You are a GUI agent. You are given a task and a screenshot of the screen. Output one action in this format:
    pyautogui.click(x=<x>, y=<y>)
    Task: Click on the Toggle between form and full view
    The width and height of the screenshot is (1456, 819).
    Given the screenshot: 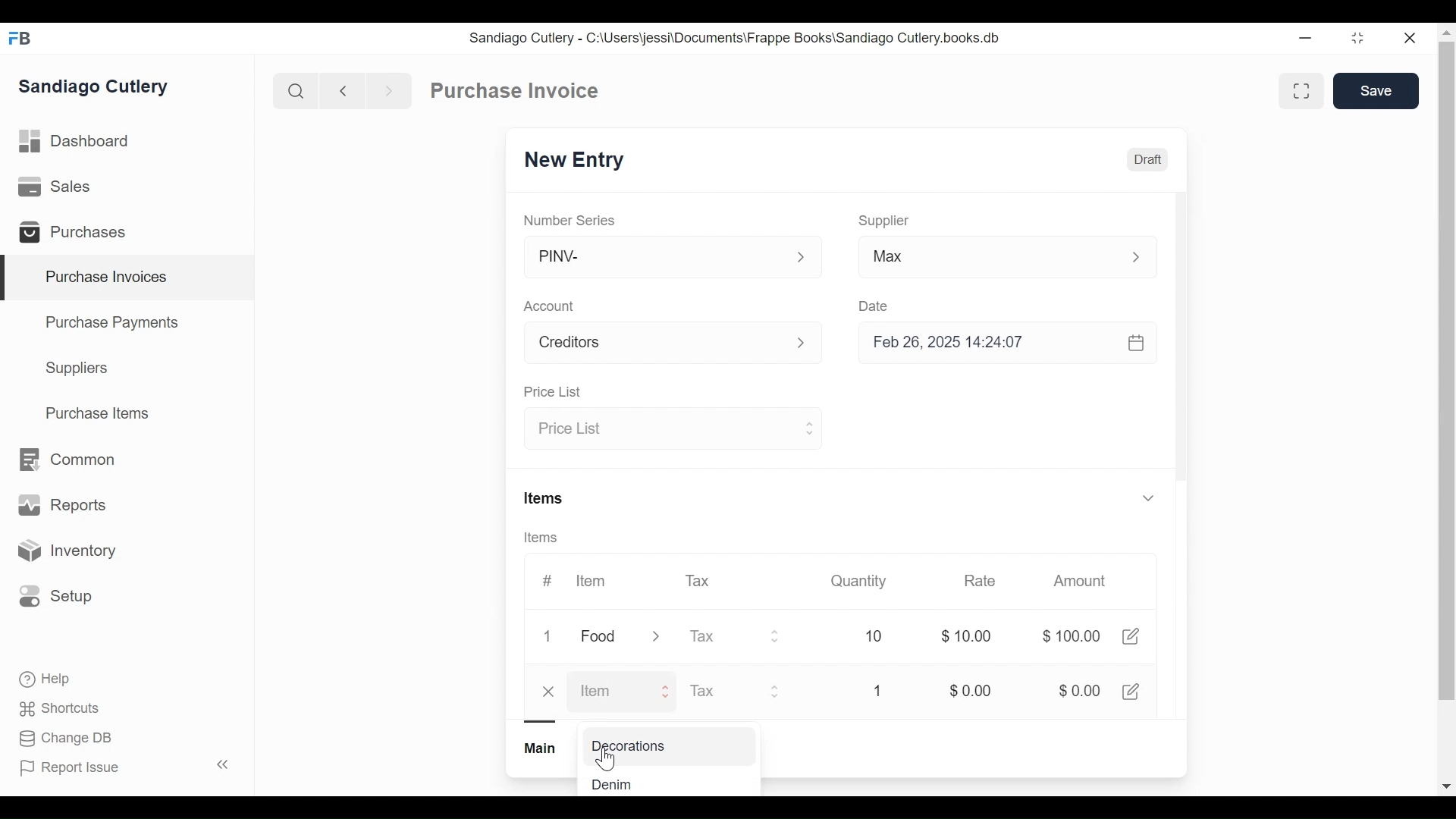 What is the action you would take?
    pyautogui.click(x=1301, y=92)
    